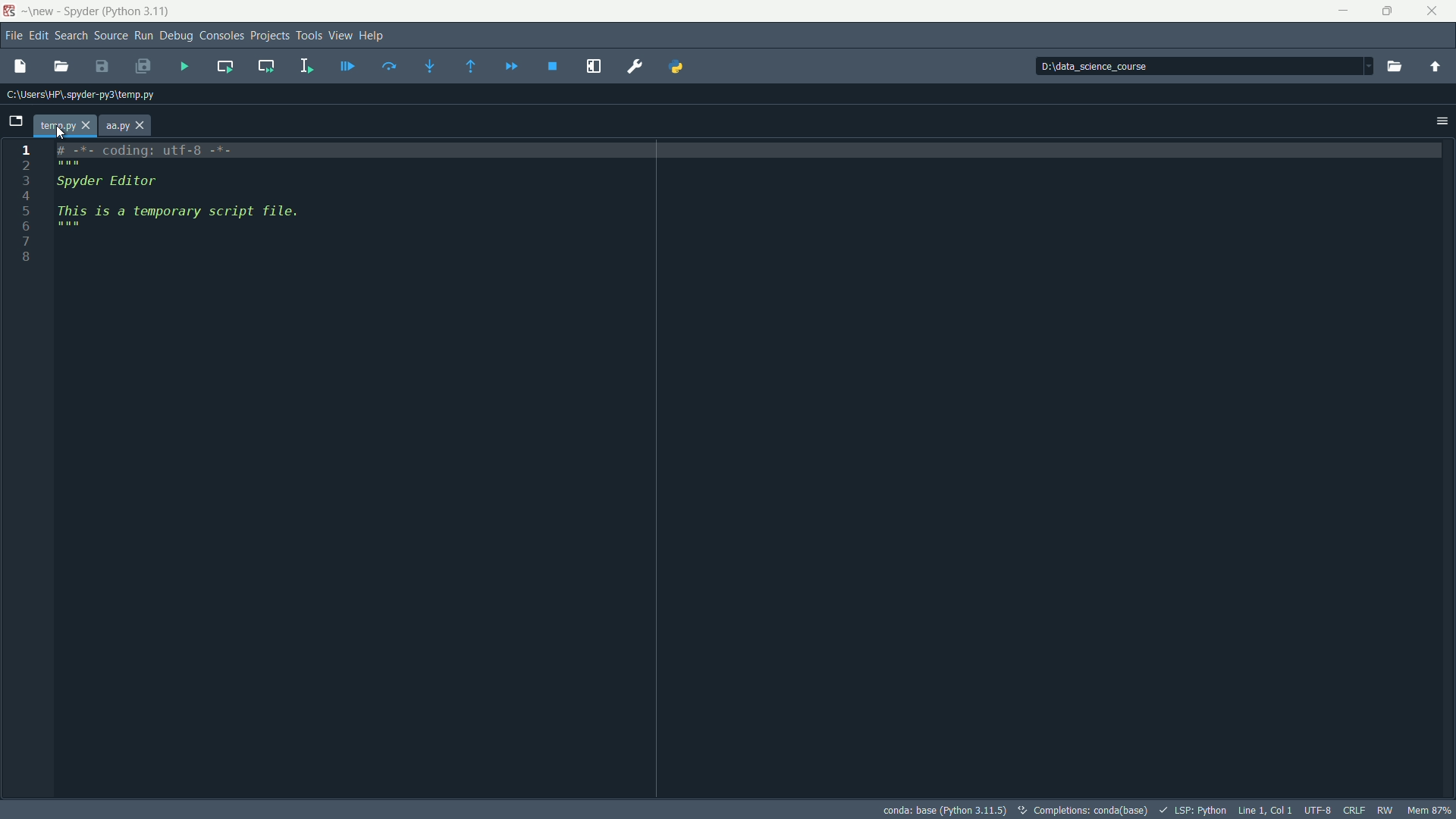  What do you see at coordinates (375, 36) in the screenshot?
I see `help menu` at bounding box center [375, 36].